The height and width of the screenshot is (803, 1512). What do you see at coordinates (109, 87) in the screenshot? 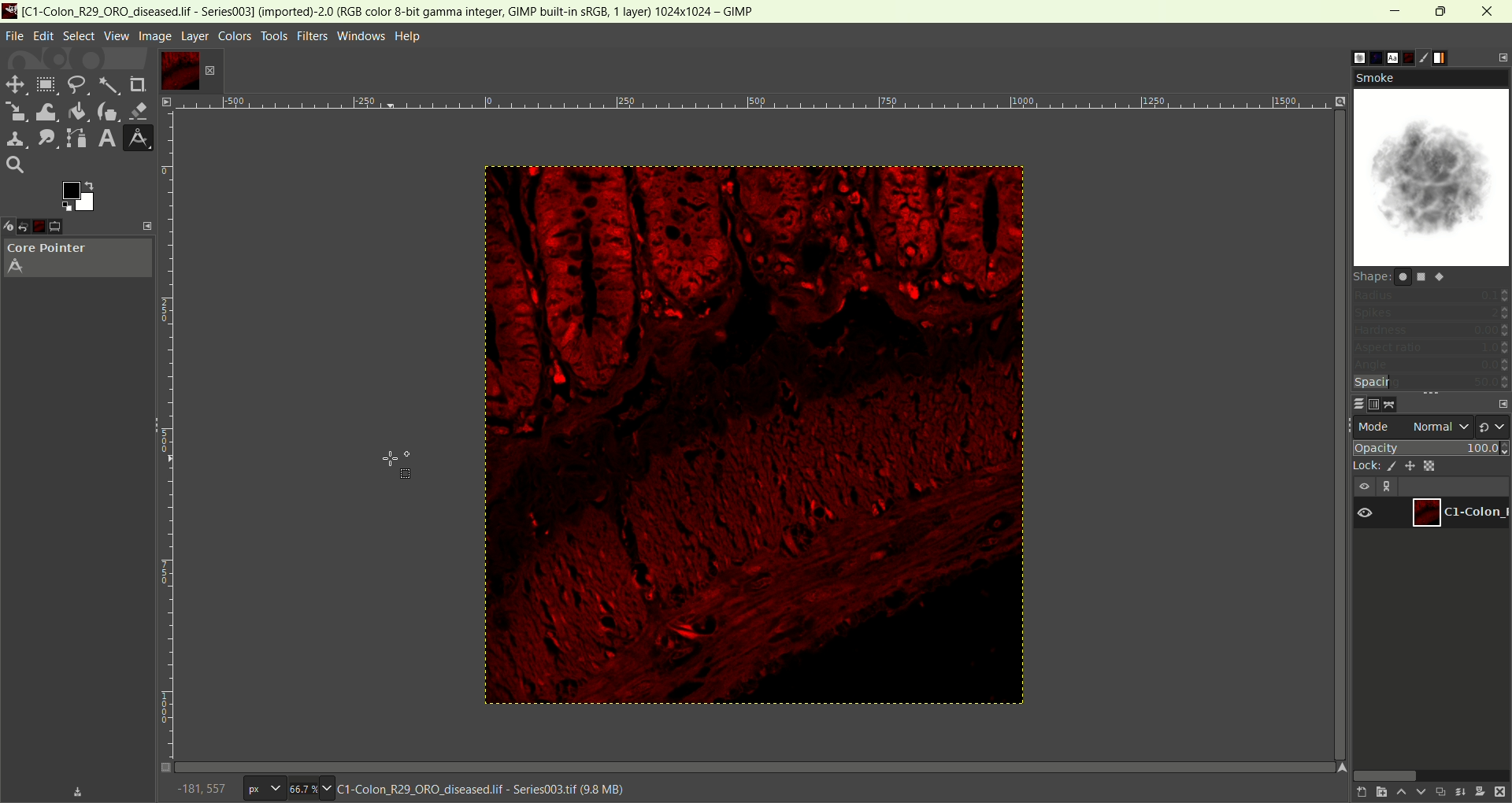
I see `fuzzy select tool` at bounding box center [109, 87].